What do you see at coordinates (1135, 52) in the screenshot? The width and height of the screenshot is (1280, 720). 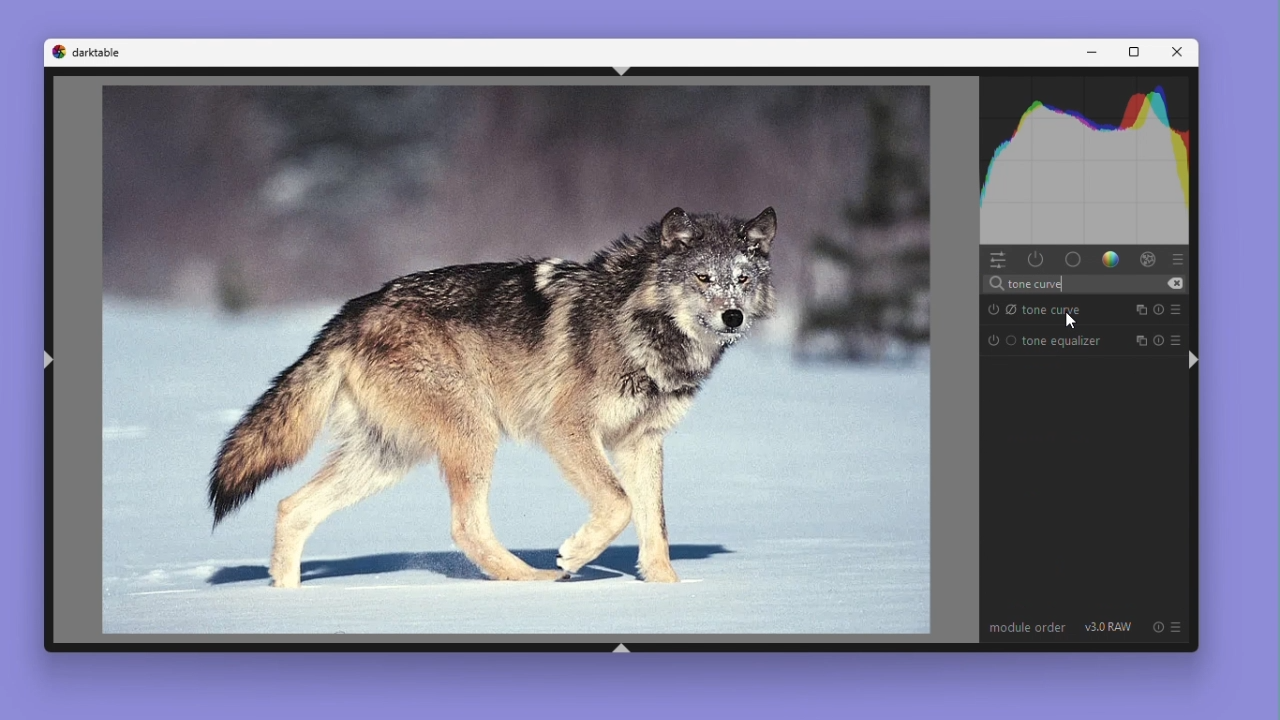 I see `Maximize` at bounding box center [1135, 52].